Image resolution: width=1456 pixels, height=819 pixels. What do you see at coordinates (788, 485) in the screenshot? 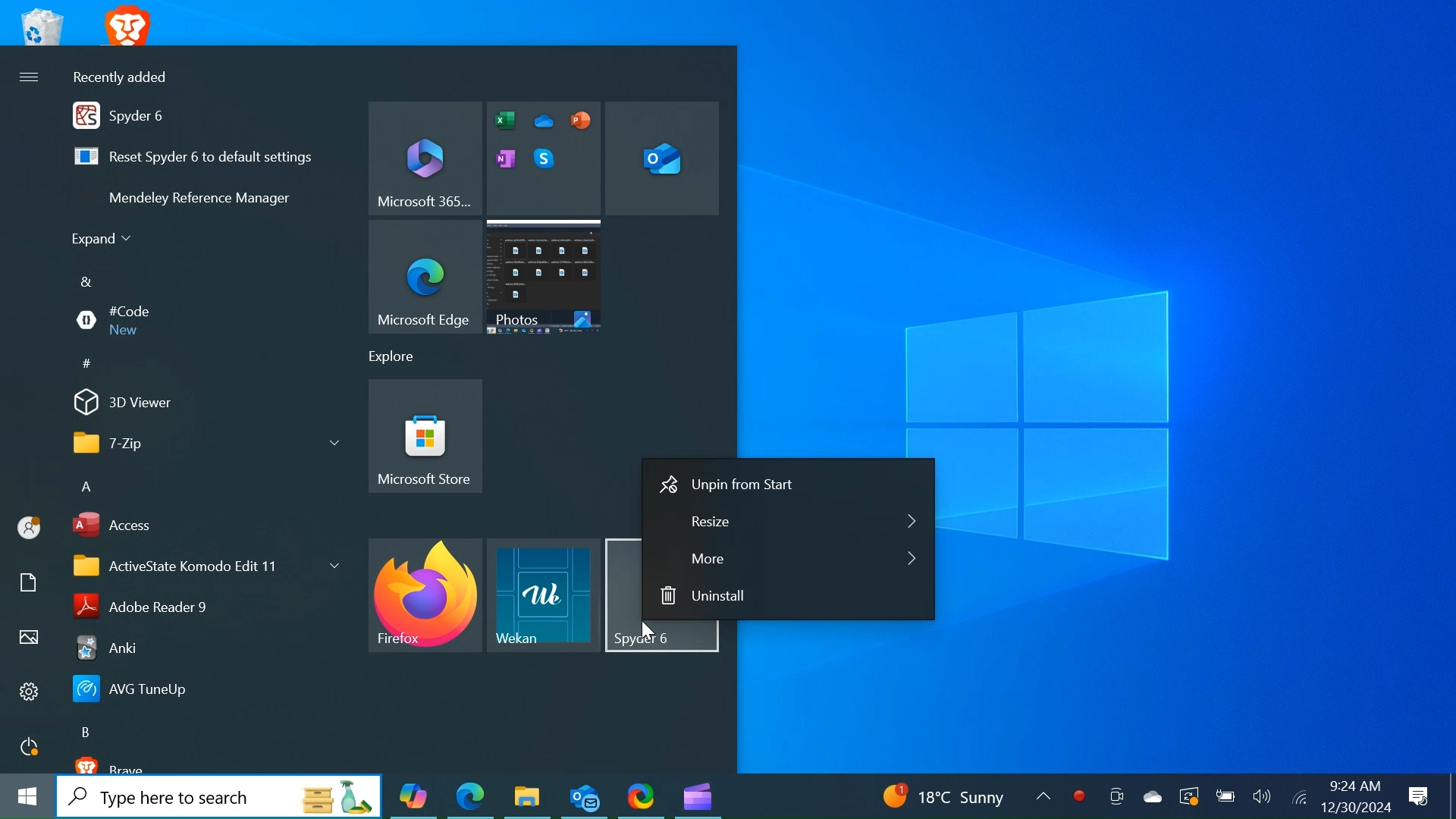
I see `Unpin from Start` at bounding box center [788, 485].